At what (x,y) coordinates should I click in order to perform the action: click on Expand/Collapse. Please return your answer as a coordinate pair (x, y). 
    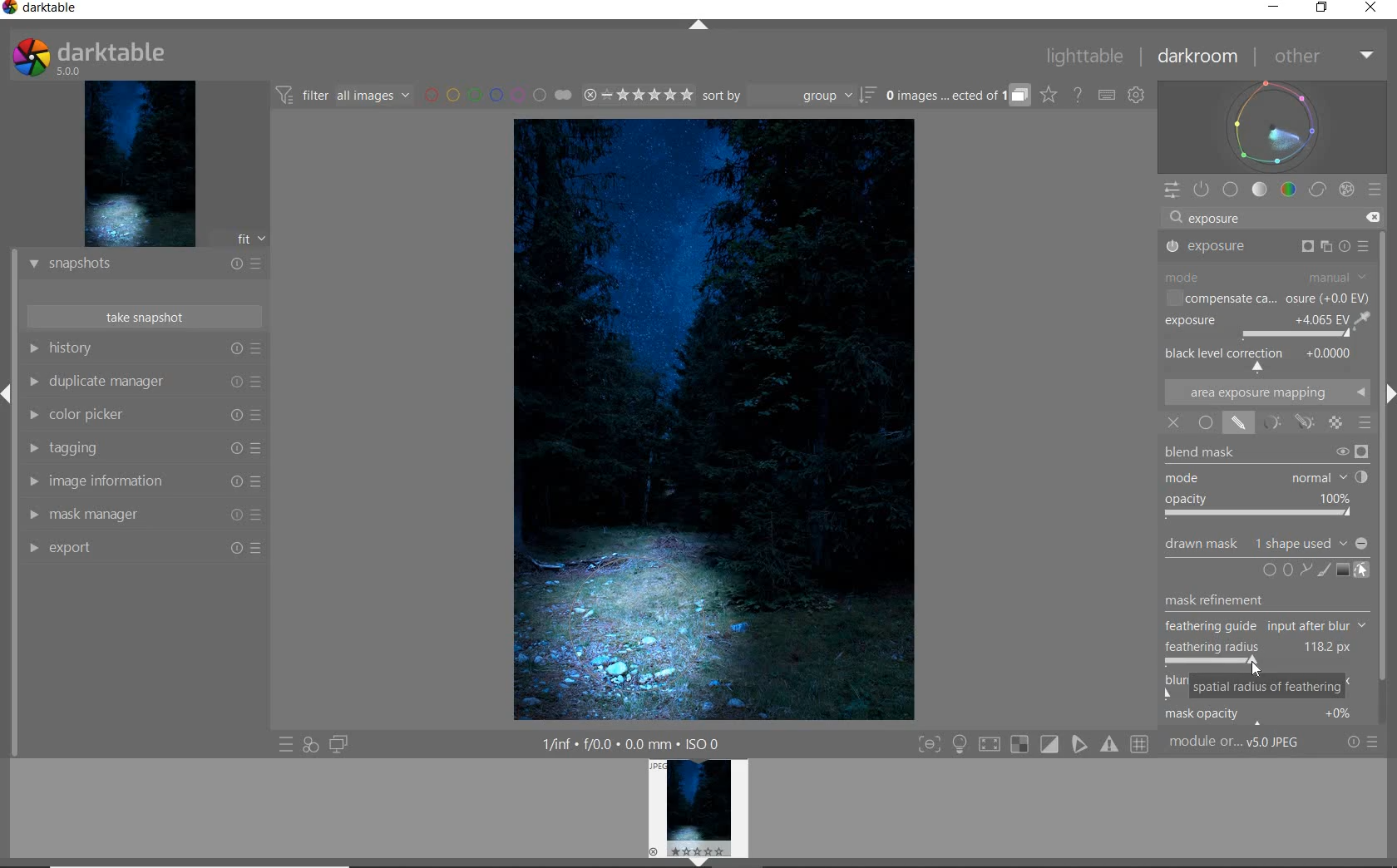
    Looking at the image, I should click on (8, 392).